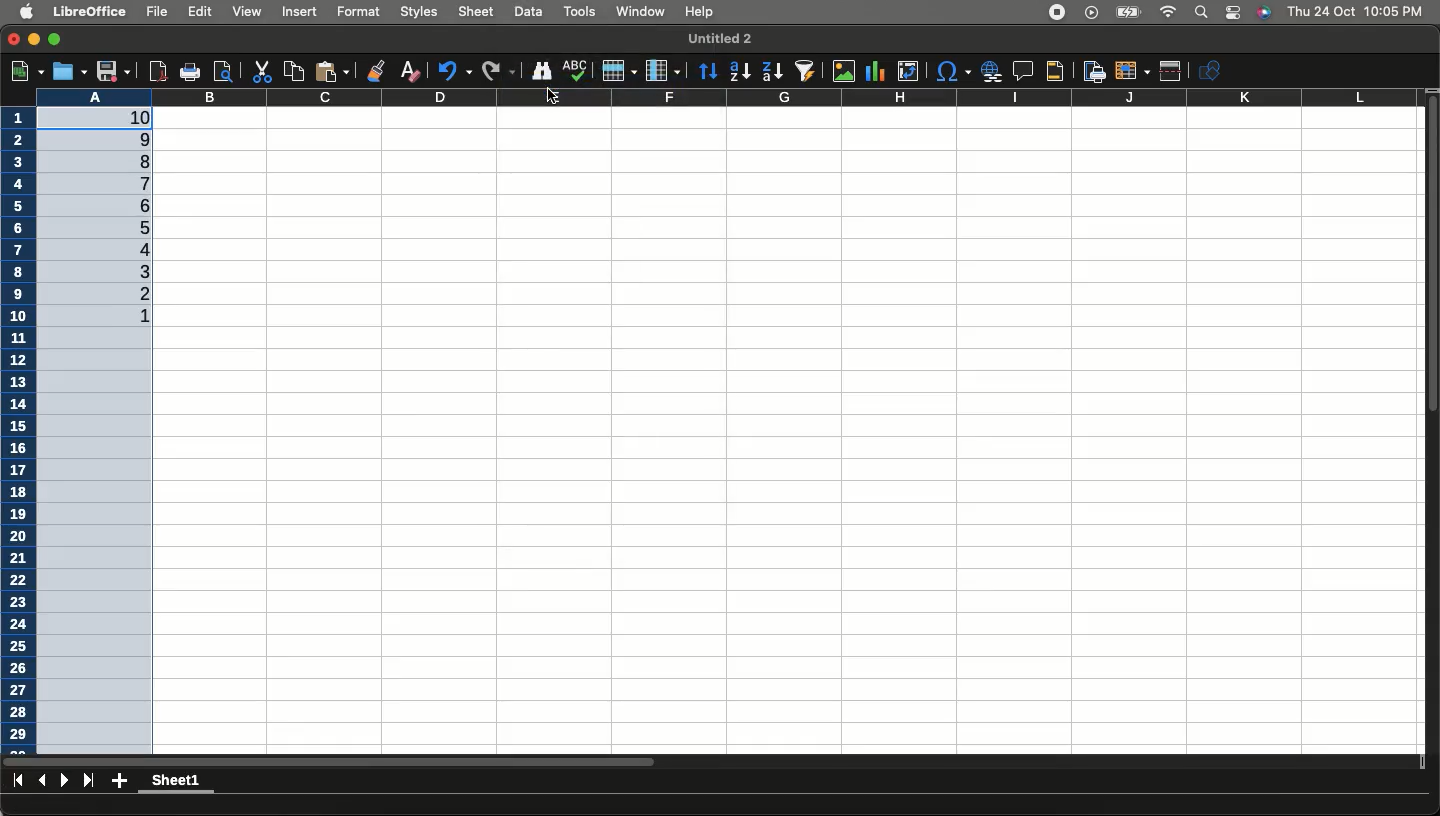 The image size is (1440, 816). What do you see at coordinates (1125, 13) in the screenshot?
I see `Charge` at bounding box center [1125, 13].